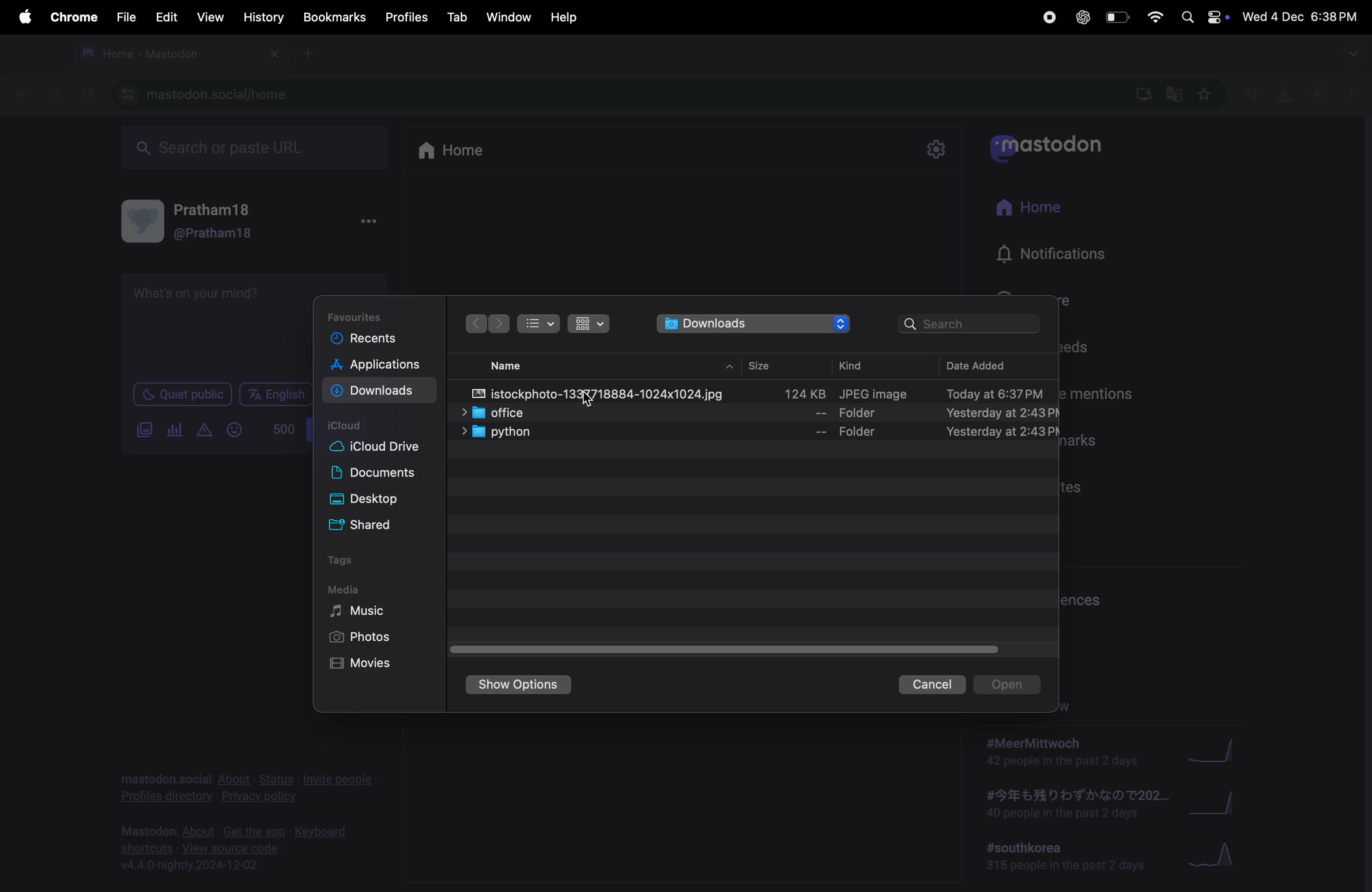 The height and width of the screenshot is (892, 1372). What do you see at coordinates (511, 16) in the screenshot?
I see `window` at bounding box center [511, 16].